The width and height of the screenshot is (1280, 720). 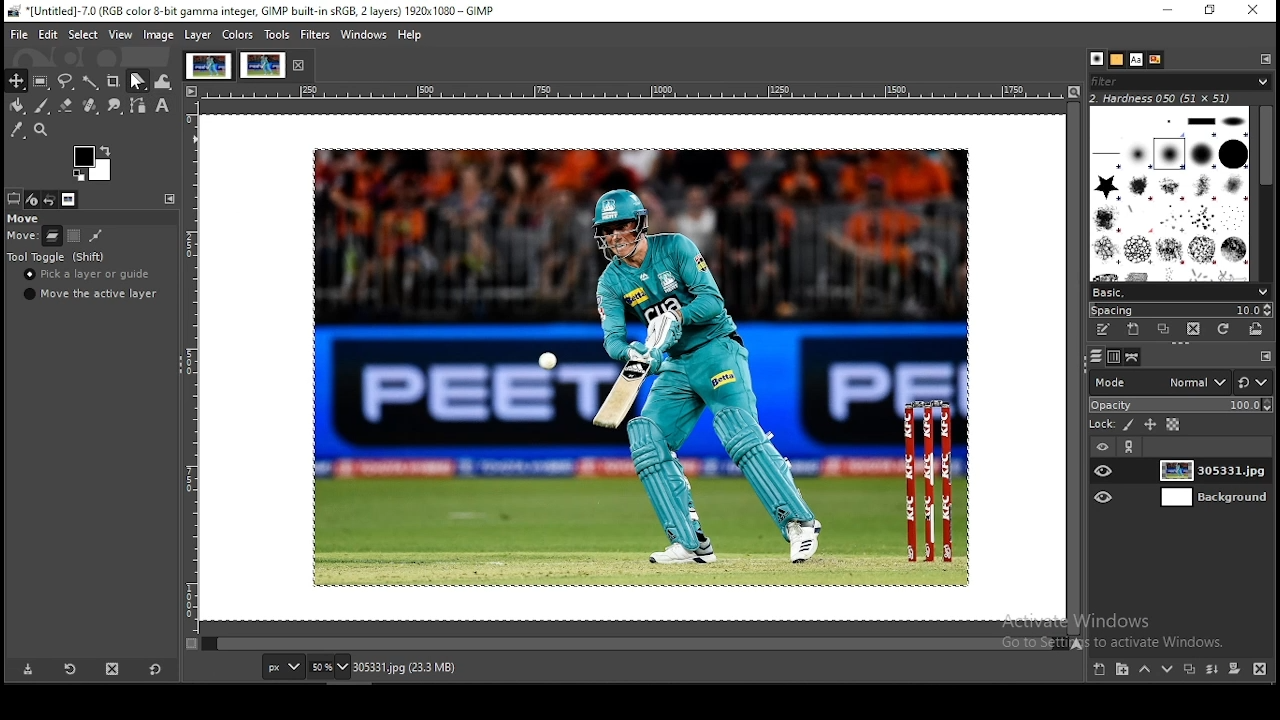 I want to click on close, so click(x=301, y=66).